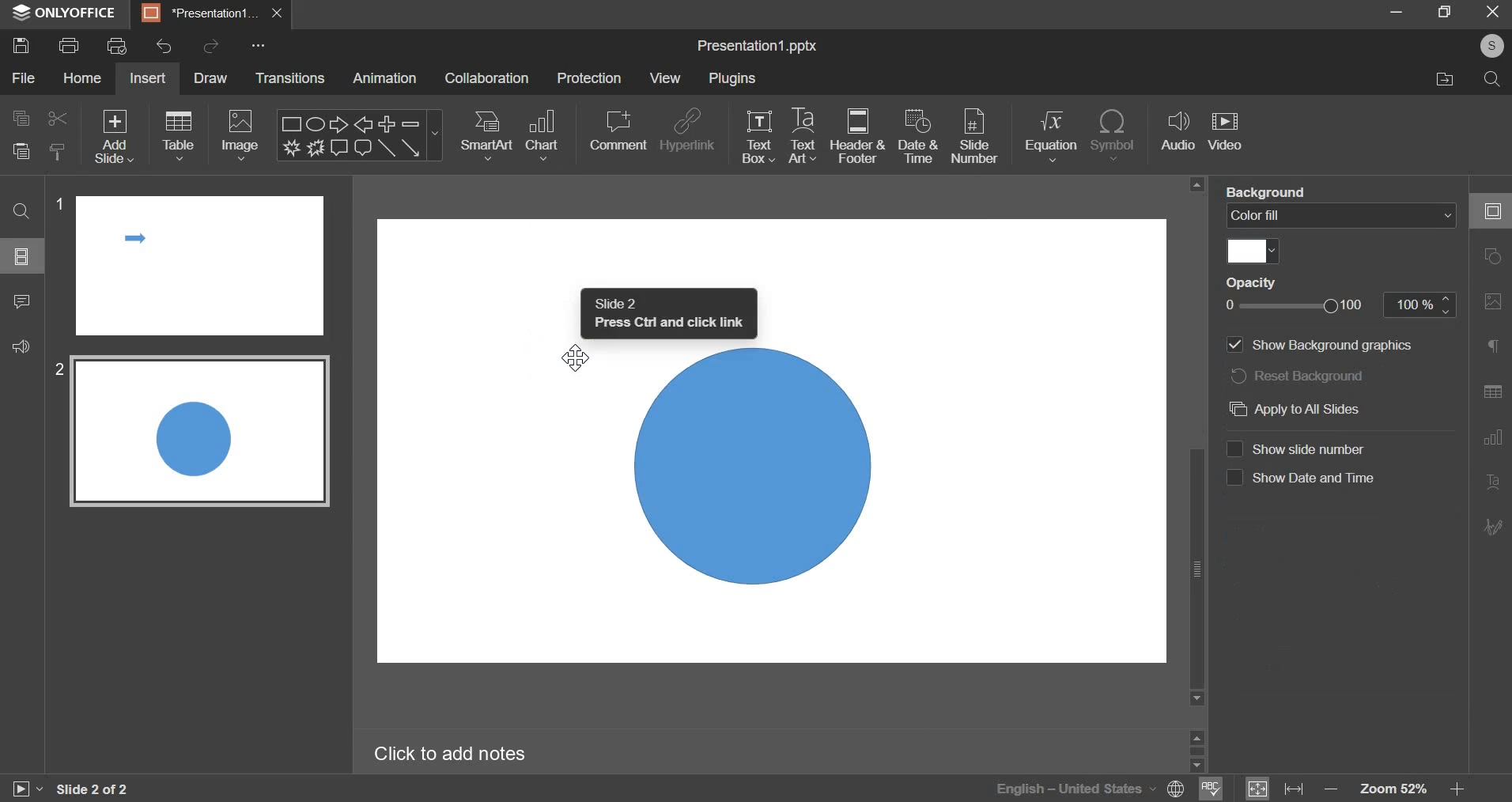  I want to click on scroll down, so click(1197, 699).